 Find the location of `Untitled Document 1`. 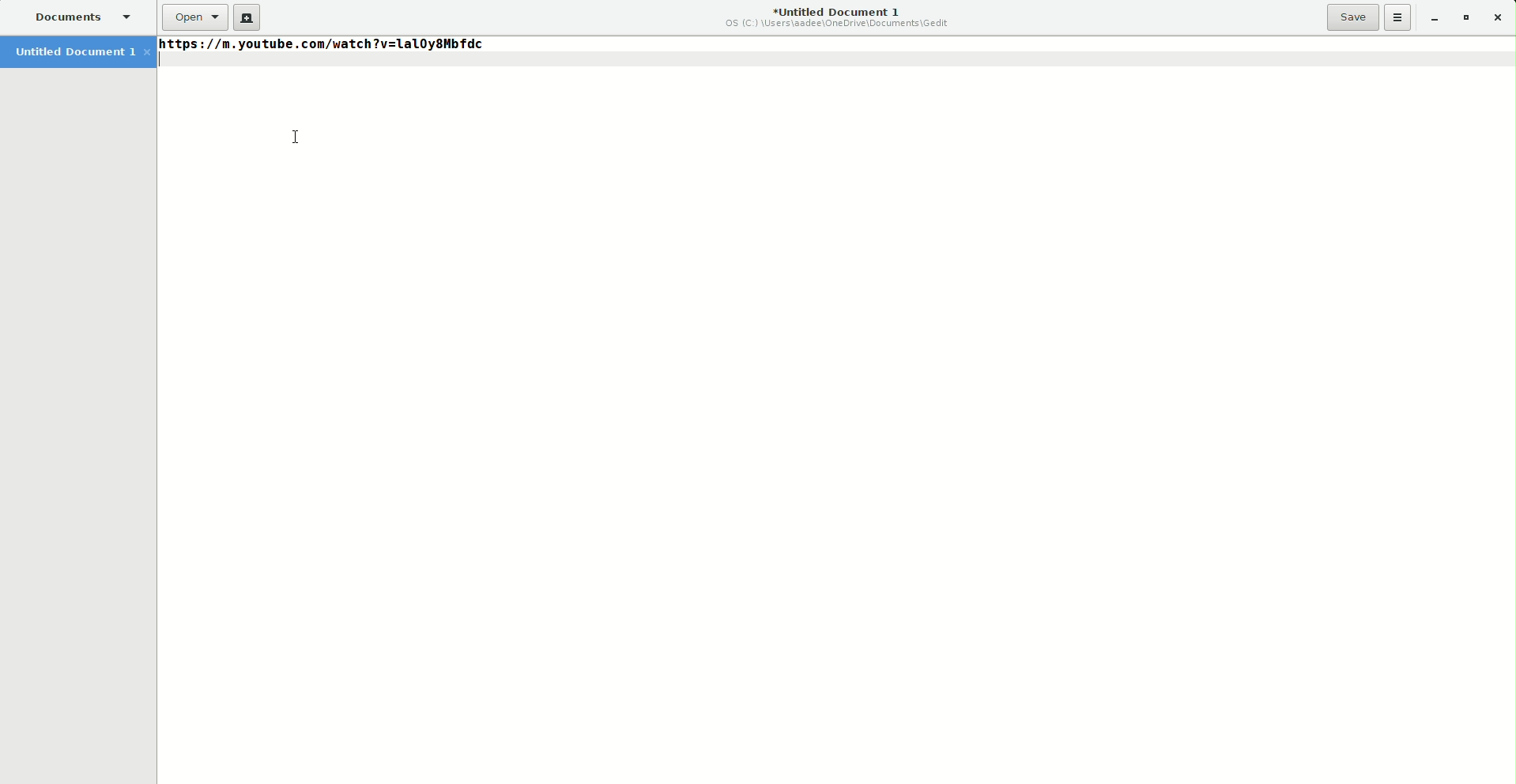

Untitled Document 1 is located at coordinates (839, 15).